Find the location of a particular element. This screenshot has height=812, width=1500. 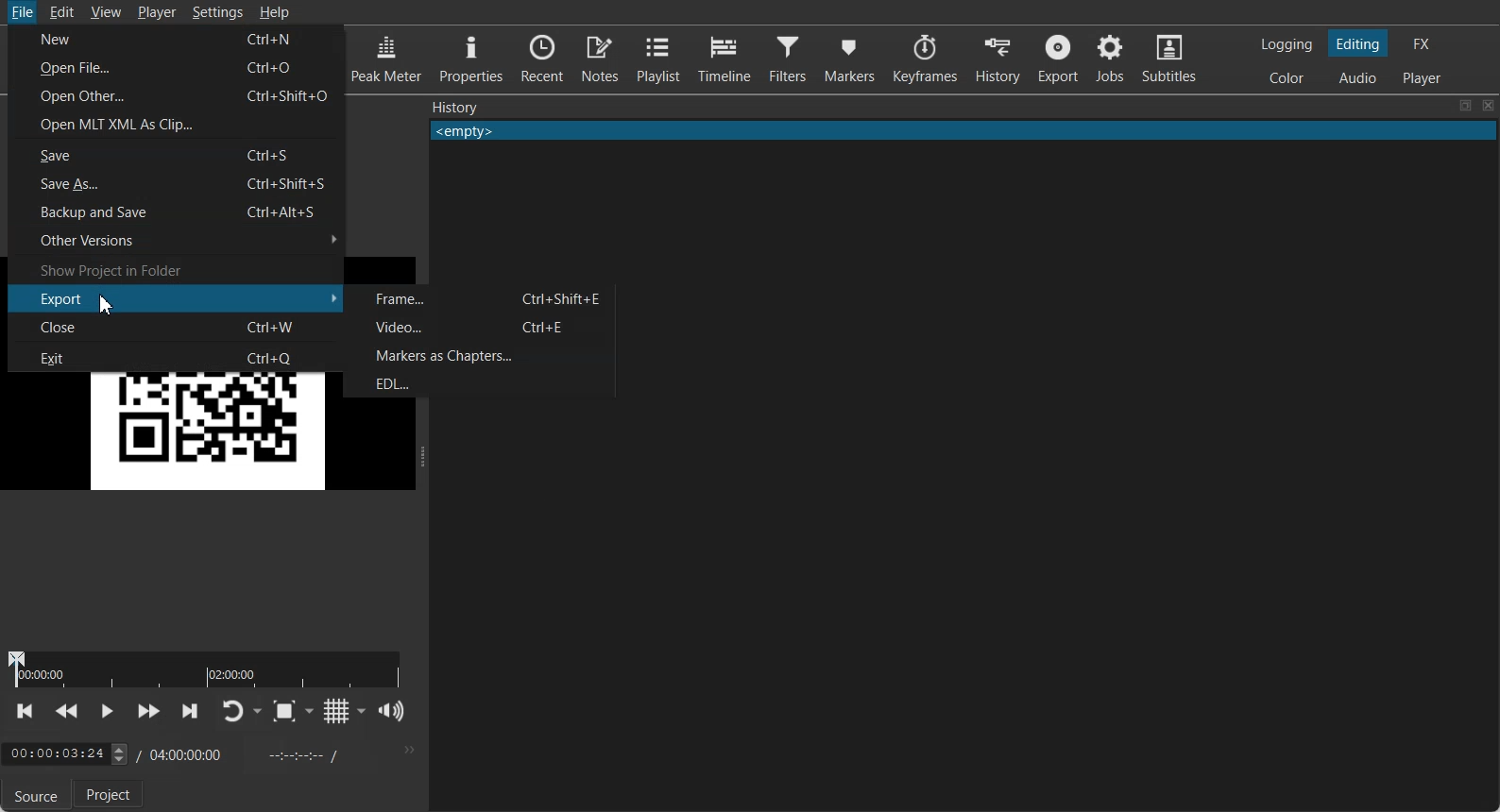

Settings is located at coordinates (218, 12).